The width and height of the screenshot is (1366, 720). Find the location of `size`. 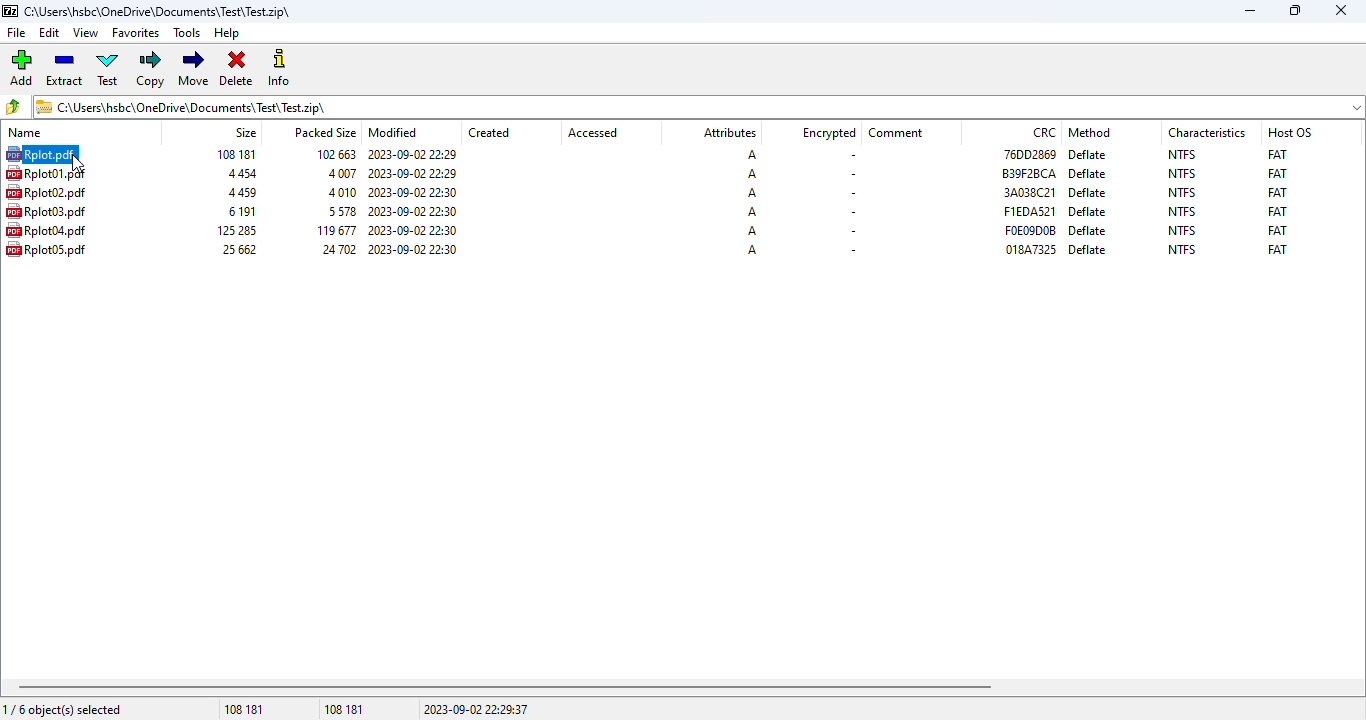

size is located at coordinates (234, 230).